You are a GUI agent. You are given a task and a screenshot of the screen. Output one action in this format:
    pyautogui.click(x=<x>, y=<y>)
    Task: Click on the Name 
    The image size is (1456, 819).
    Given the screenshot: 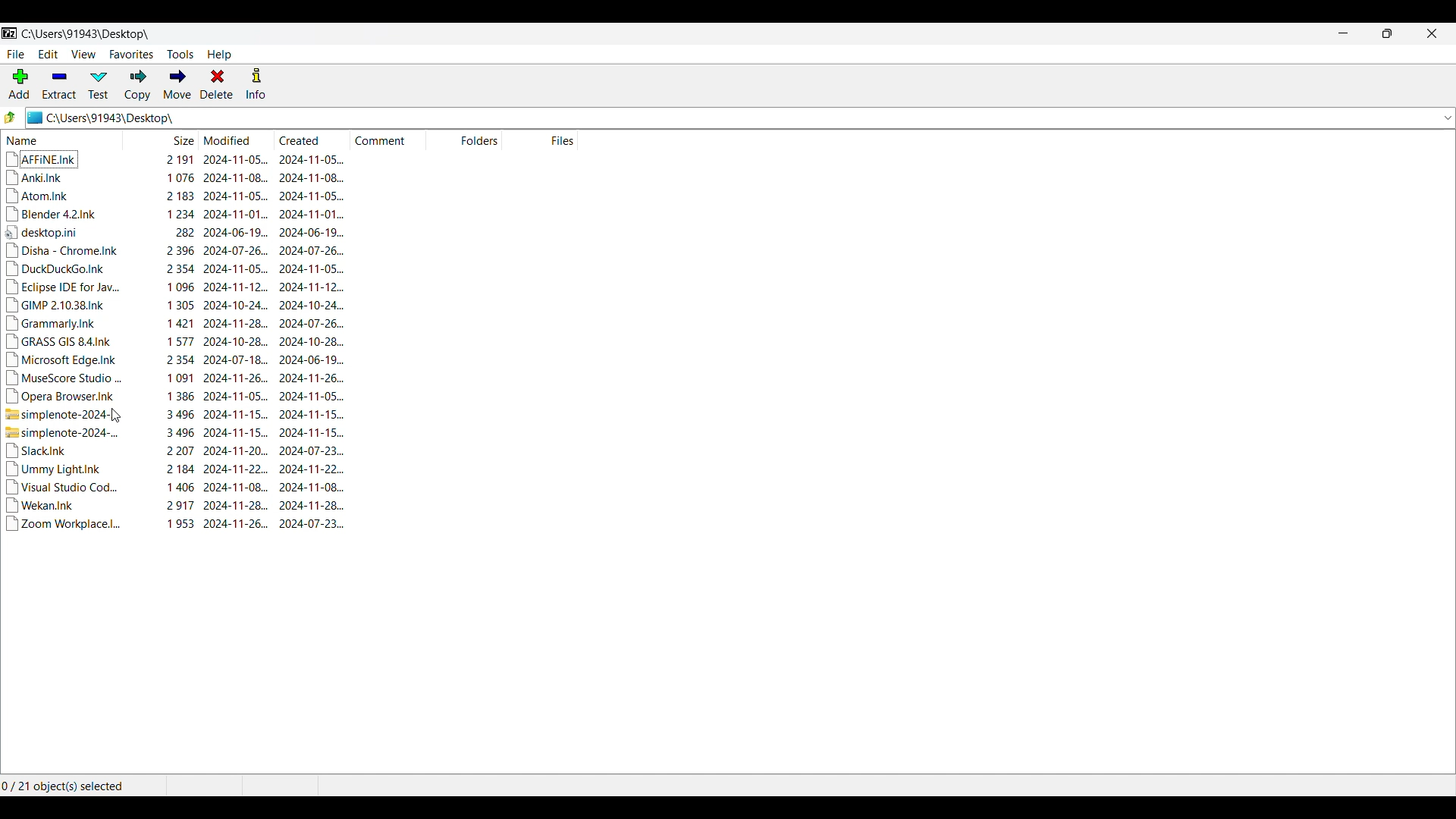 What is the action you would take?
    pyautogui.click(x=61, y=140)
    